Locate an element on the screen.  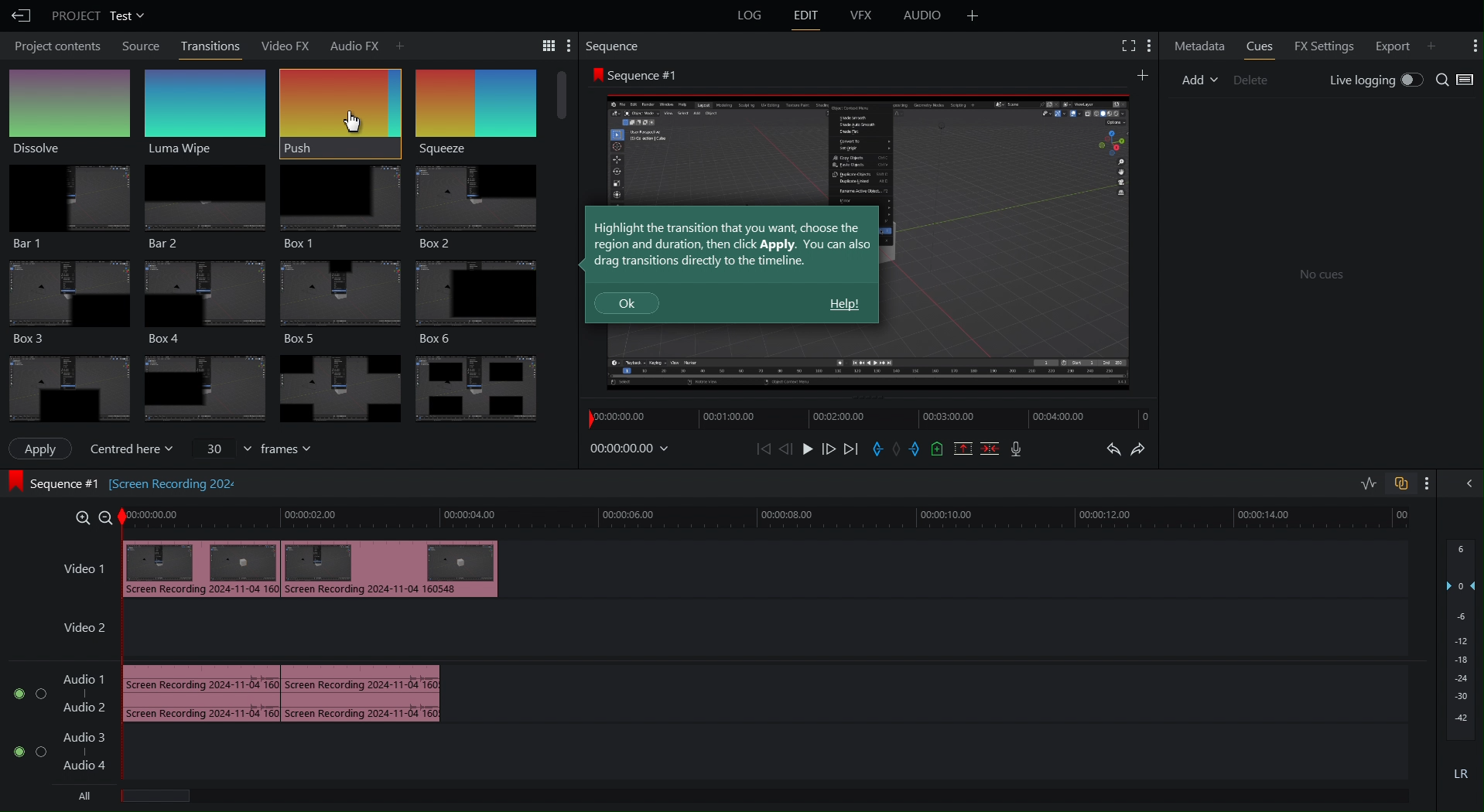
Add  is located at coordinates (1198, 80).